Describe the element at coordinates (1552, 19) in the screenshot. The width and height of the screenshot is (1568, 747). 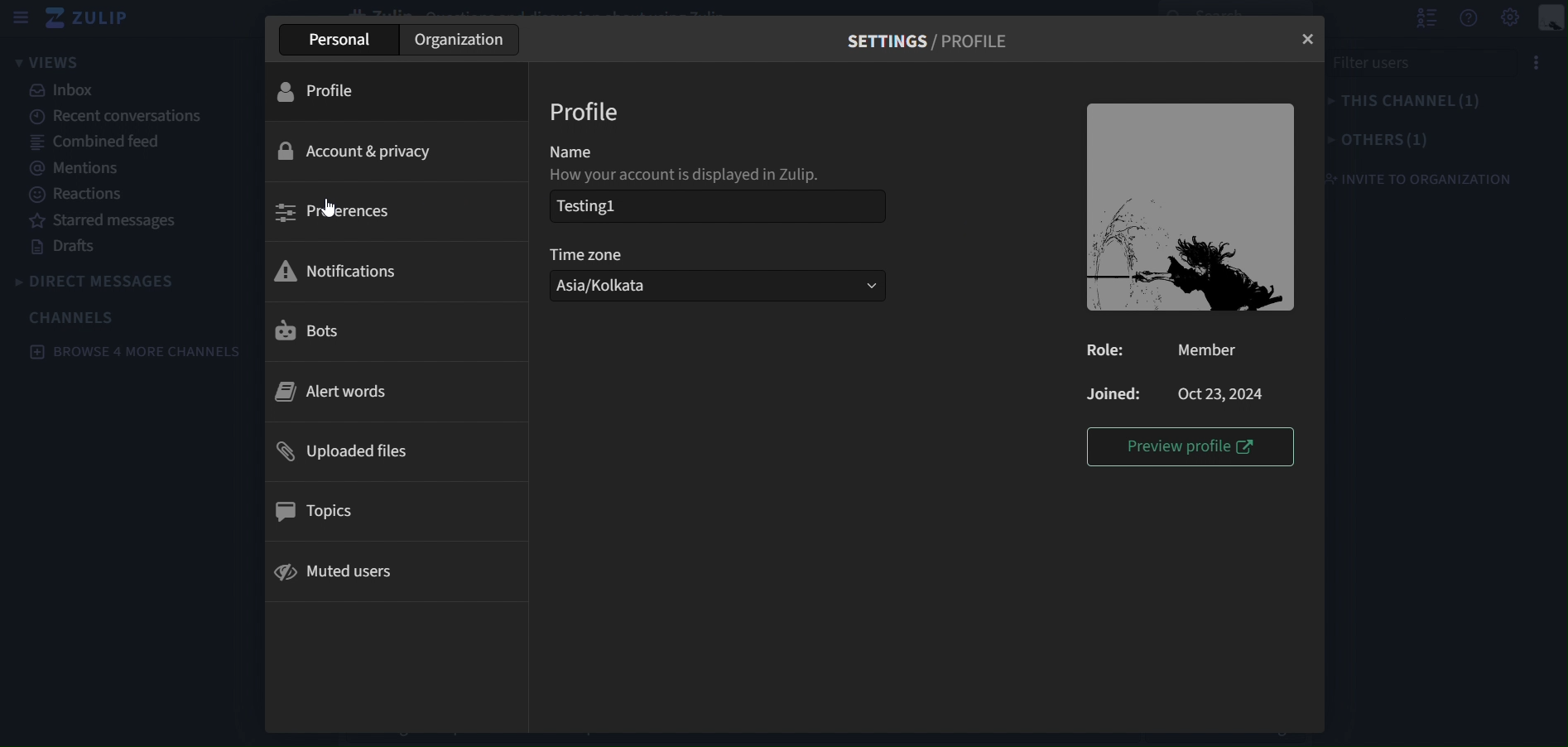
I see `personal menu` at that location.